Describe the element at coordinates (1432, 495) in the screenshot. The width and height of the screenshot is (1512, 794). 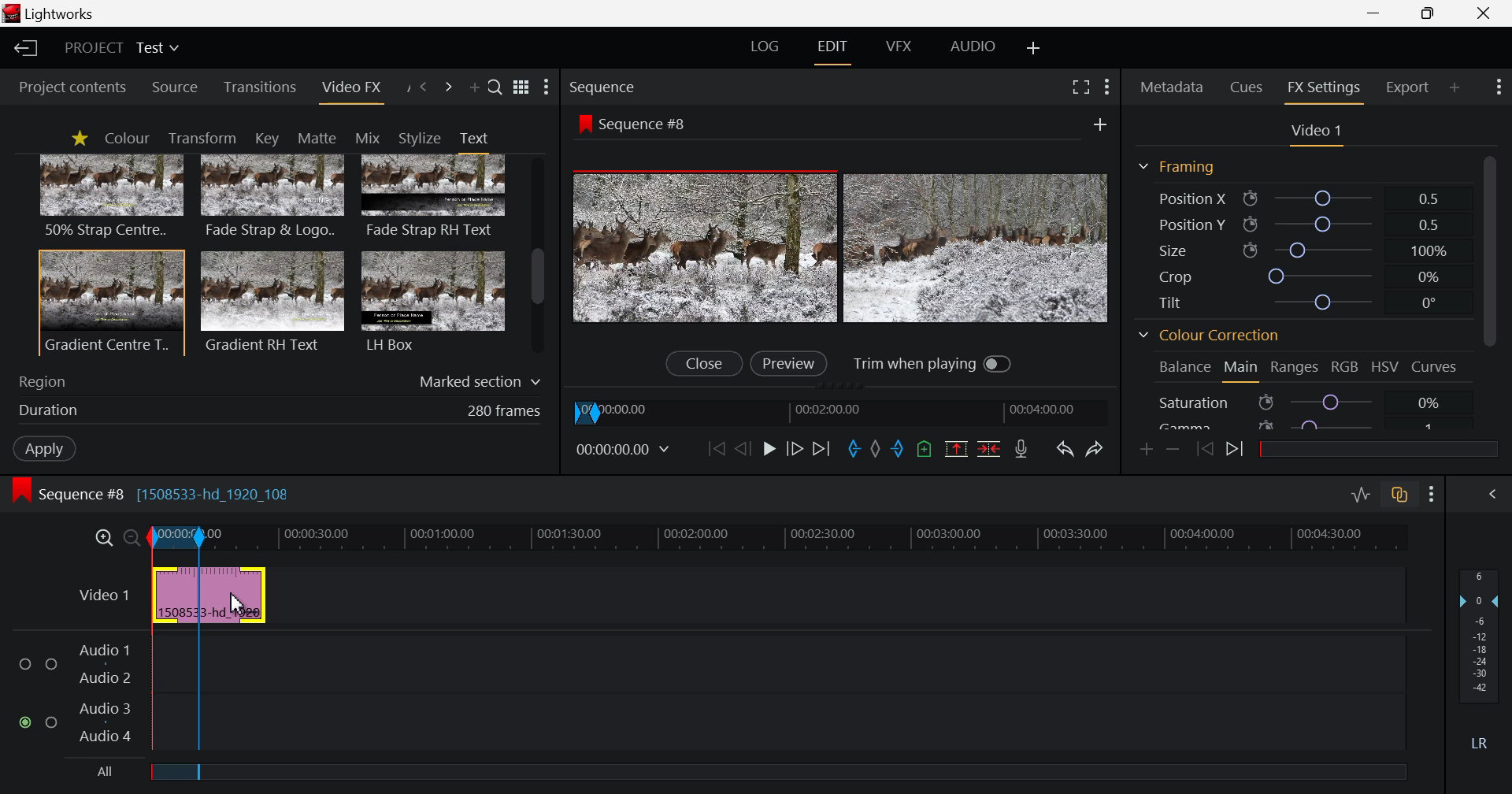
I see `Settings` at that location.